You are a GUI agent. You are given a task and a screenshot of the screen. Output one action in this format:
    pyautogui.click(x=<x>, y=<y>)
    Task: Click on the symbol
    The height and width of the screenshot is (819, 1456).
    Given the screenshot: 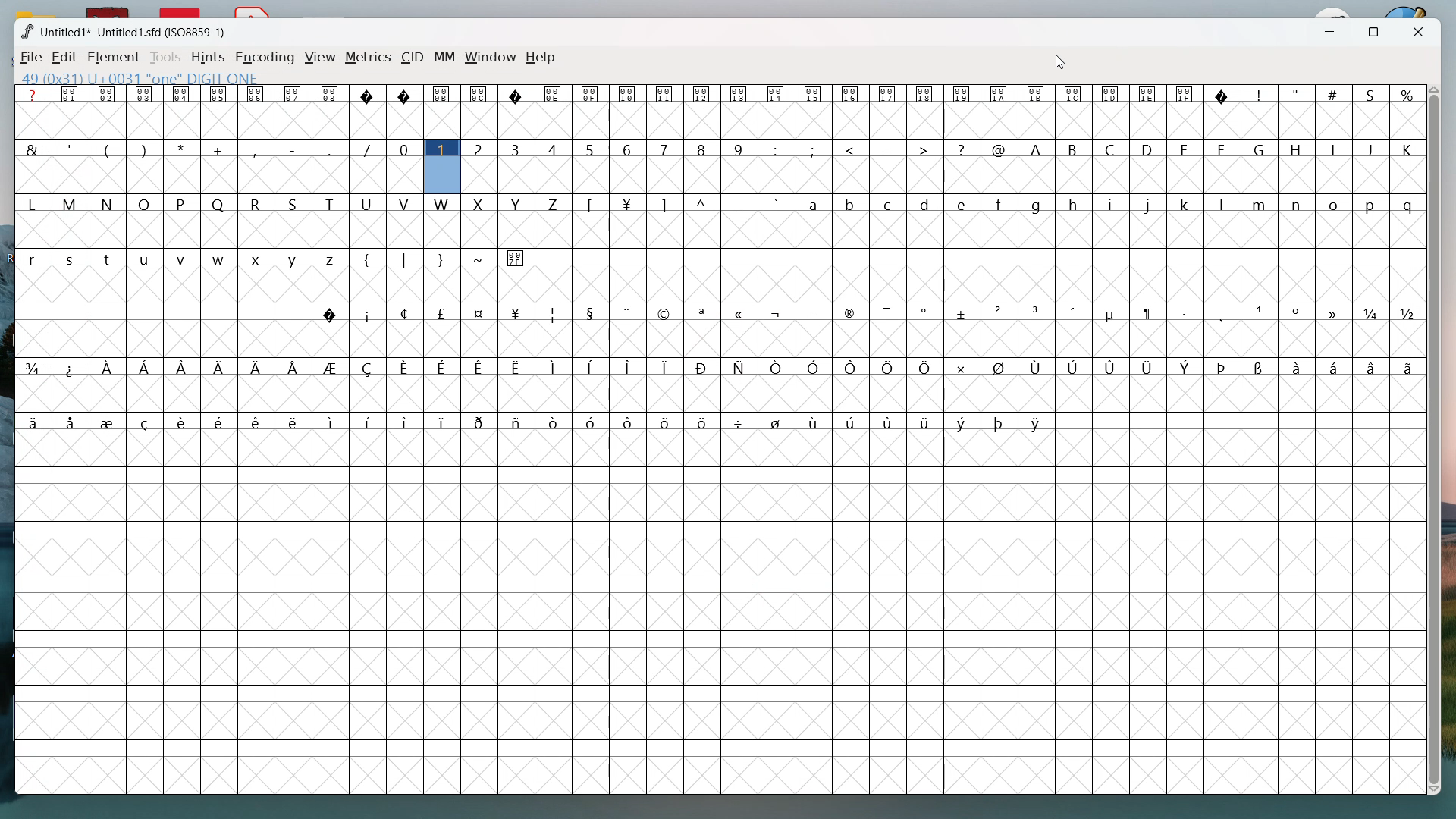 What is the action you would take?
    pyautogui.click(x=593, y=423)
    